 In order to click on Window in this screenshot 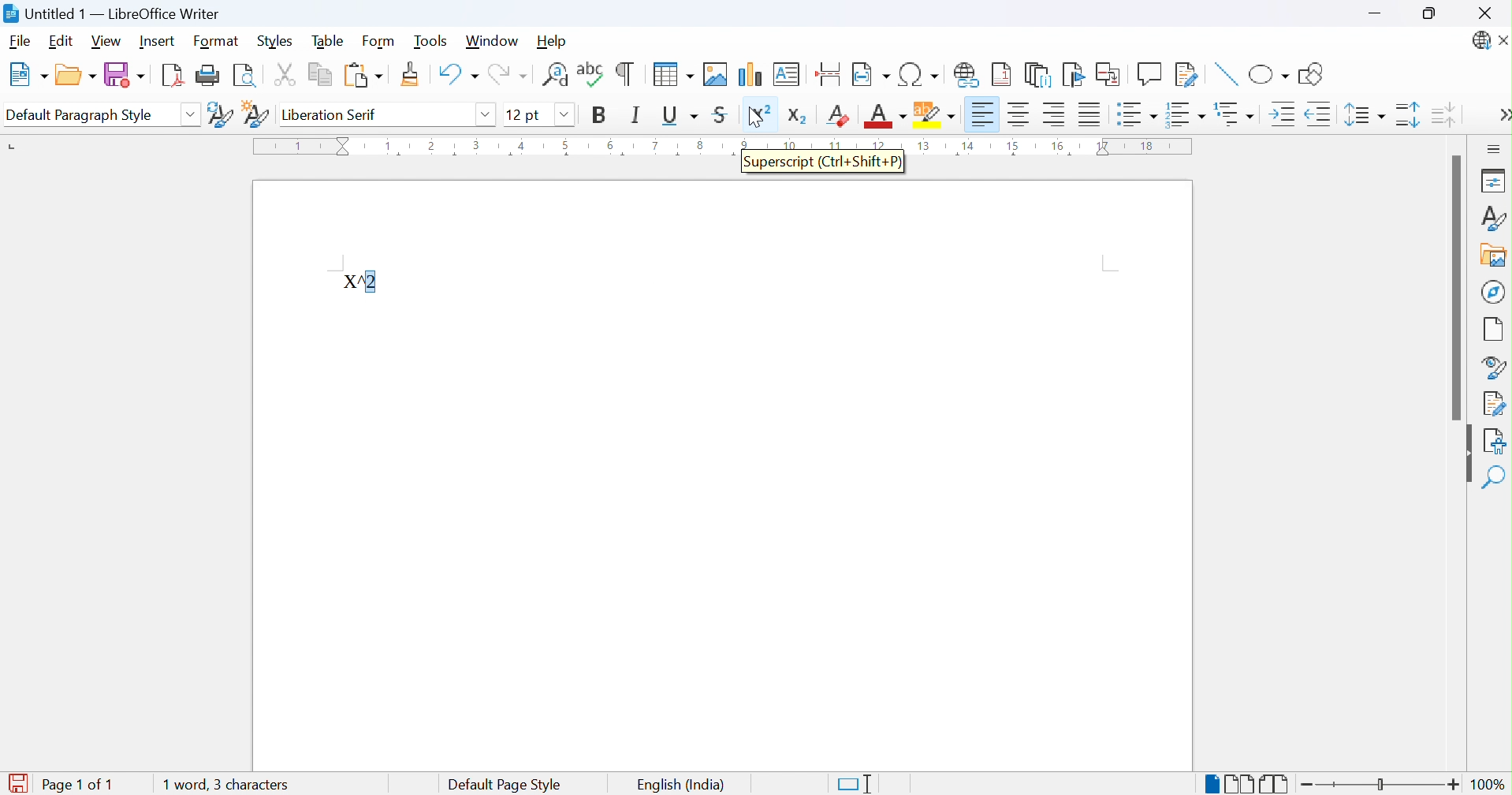, I will do `click(490, 42)`.